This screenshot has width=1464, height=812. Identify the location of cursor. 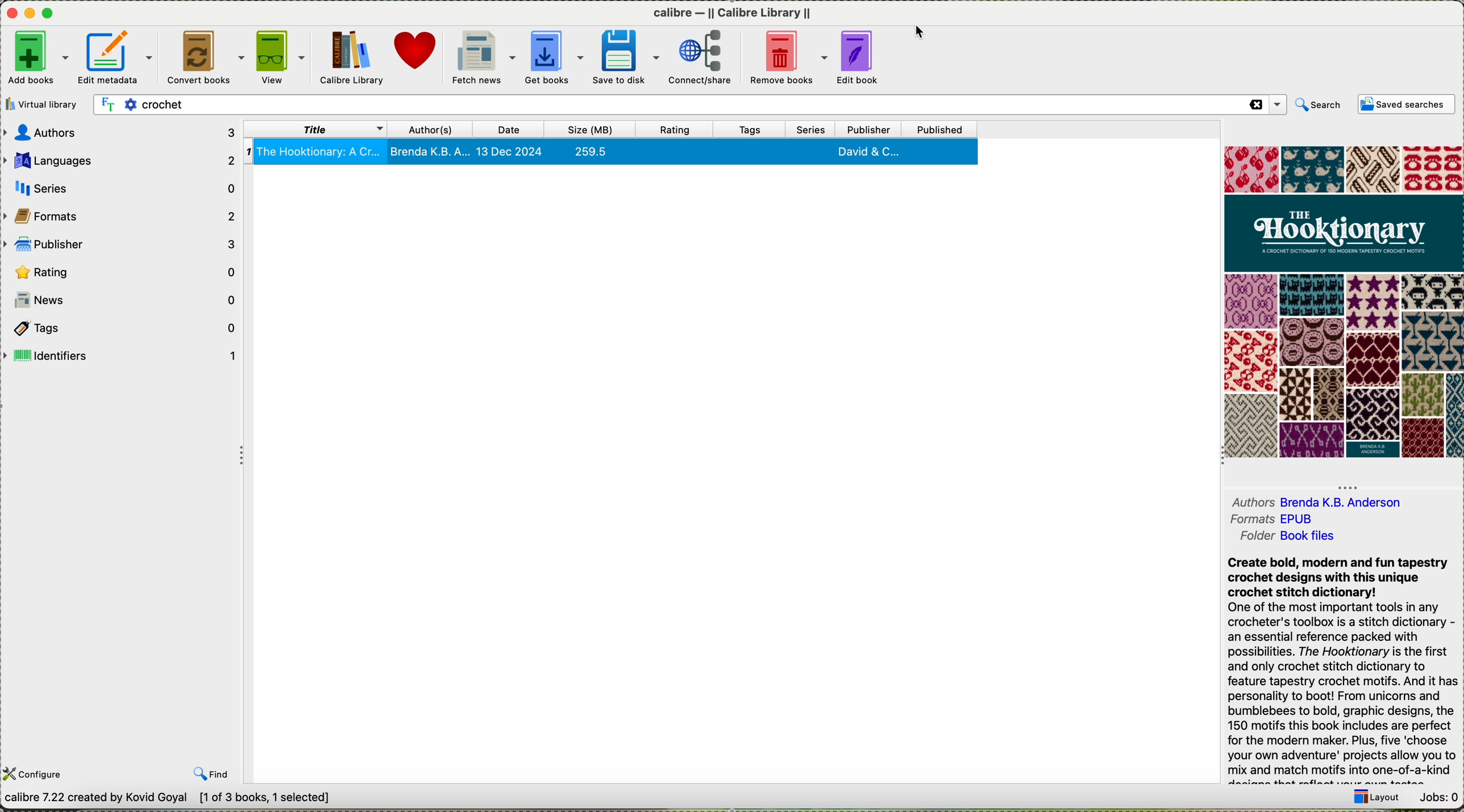
(922, 34).